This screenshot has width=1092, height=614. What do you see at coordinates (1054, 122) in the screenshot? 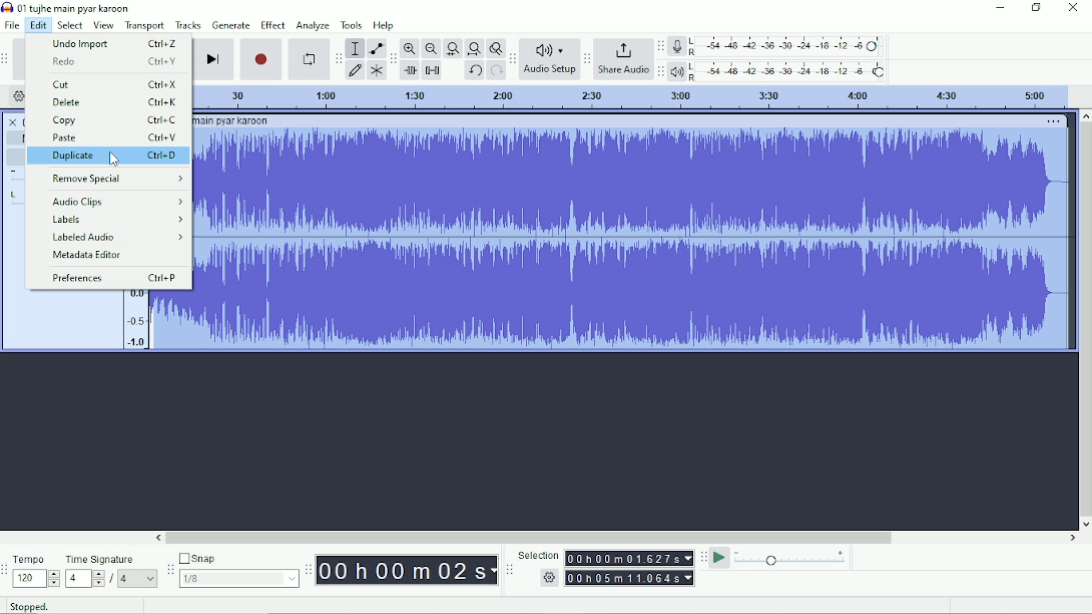
I see `More options` at bounding box center [1054, 122].